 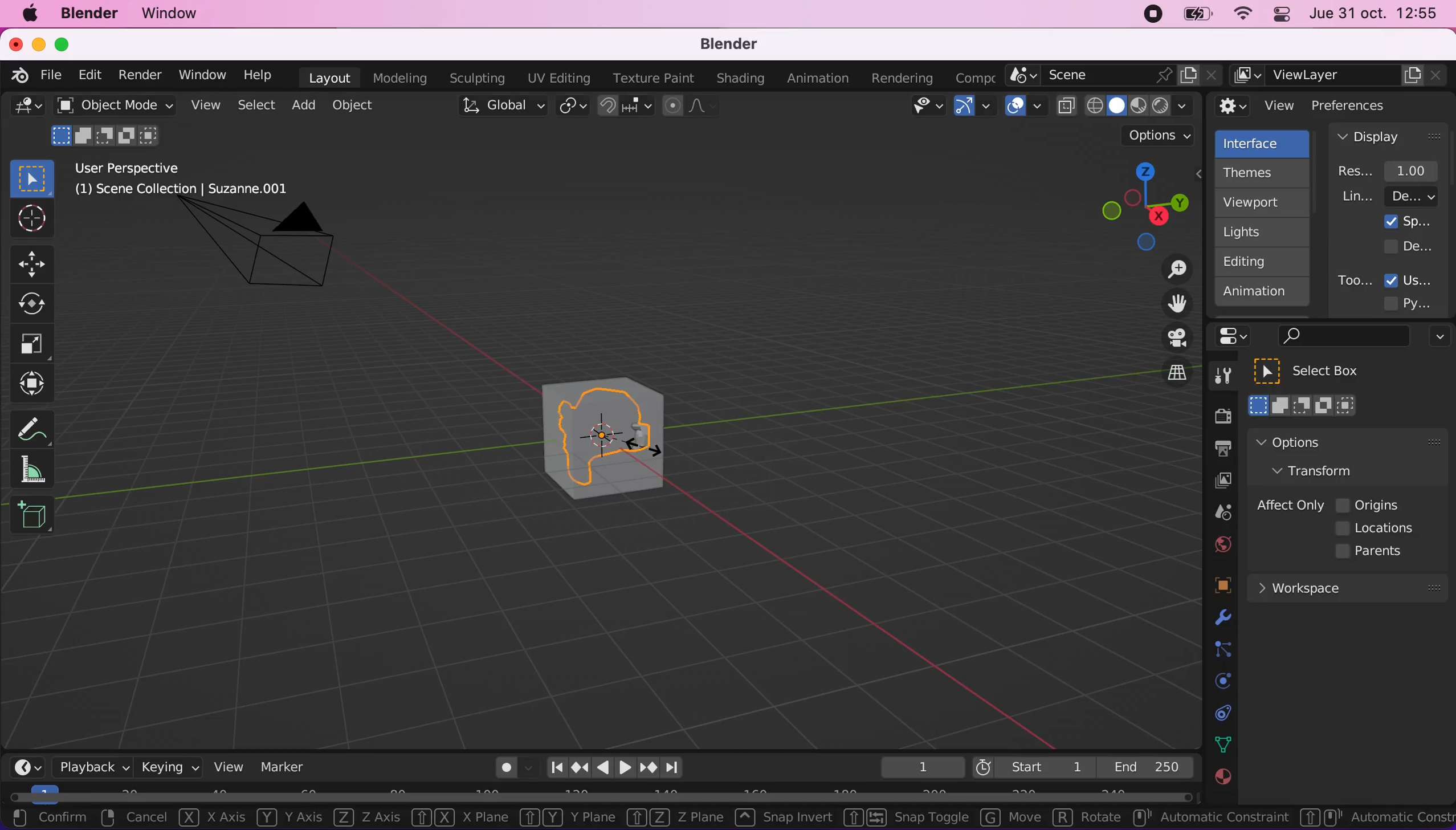 I want to click on options, so click(x=1160, y=136).